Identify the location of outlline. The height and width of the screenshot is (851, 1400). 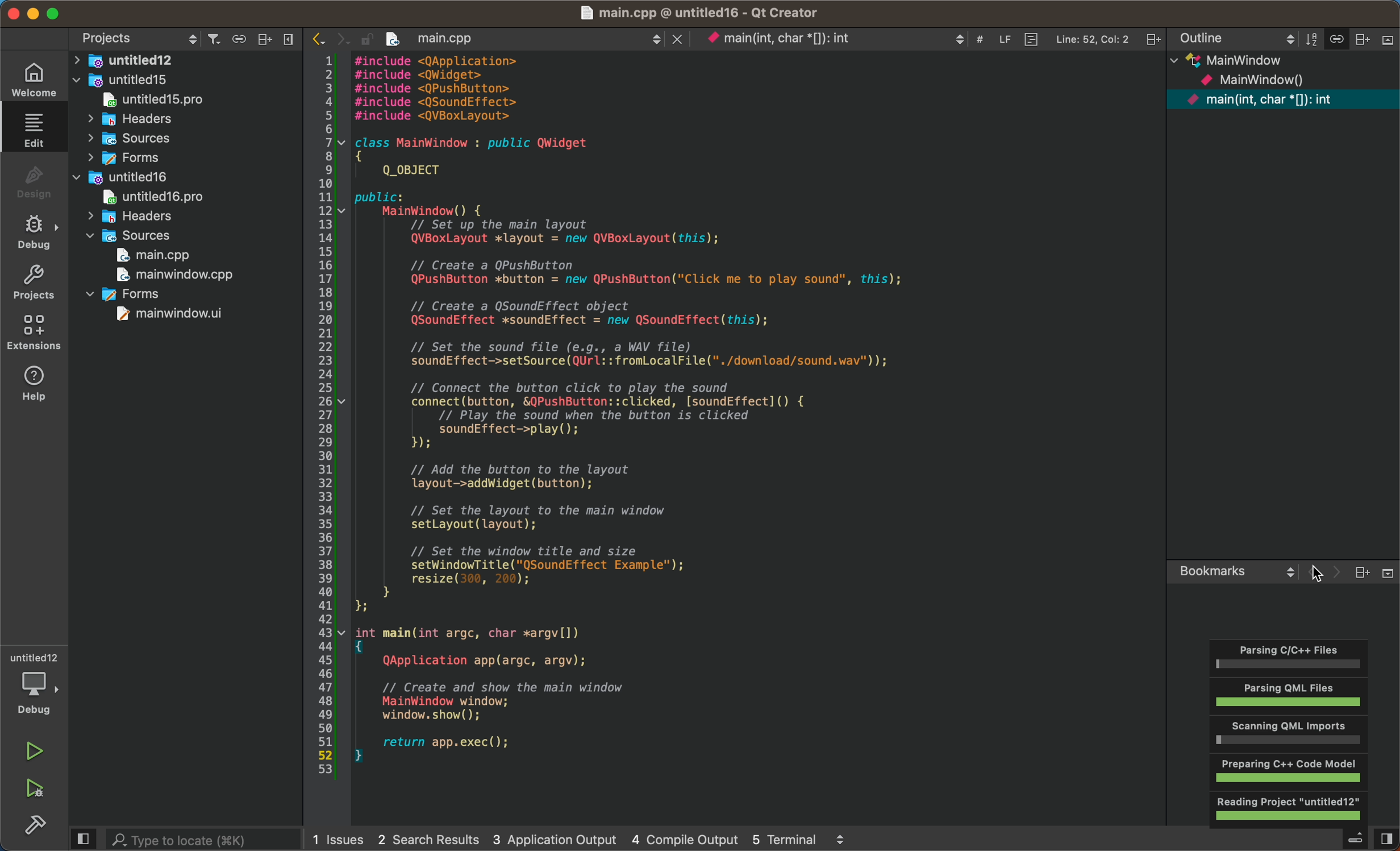
(1286, 165).